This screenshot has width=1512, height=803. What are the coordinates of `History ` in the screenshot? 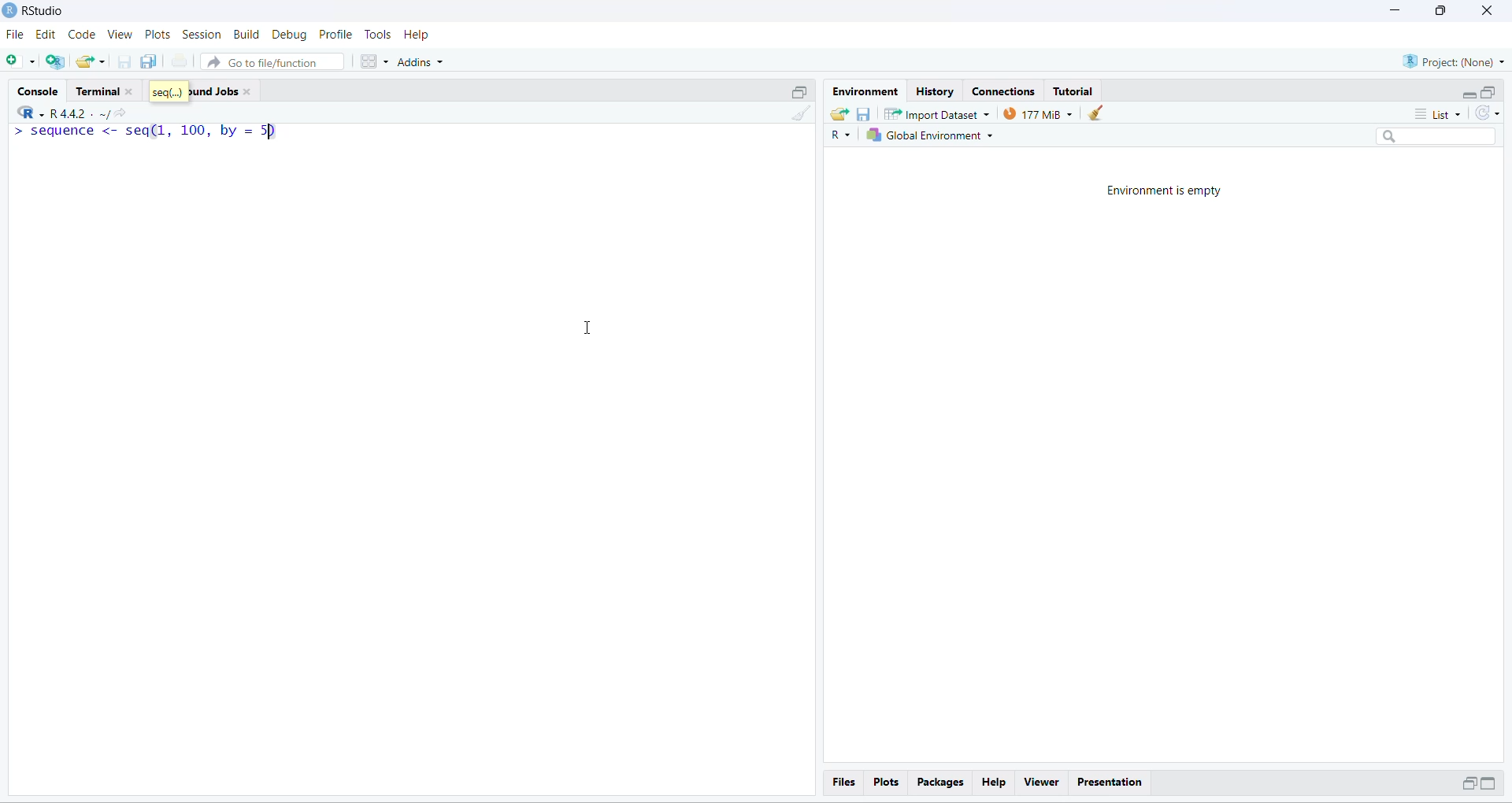 It's located at (936, 92).